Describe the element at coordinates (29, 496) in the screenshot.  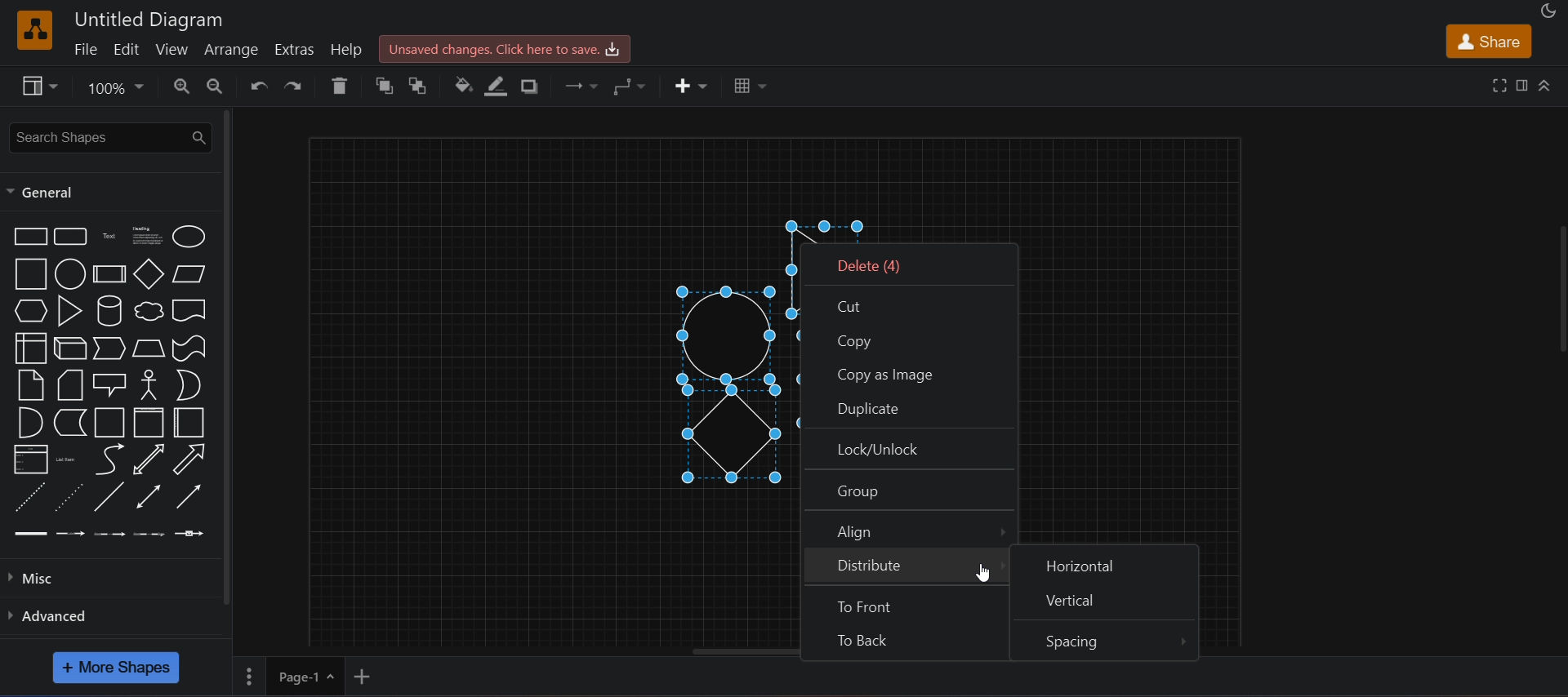
I see `dashed line` at that location.